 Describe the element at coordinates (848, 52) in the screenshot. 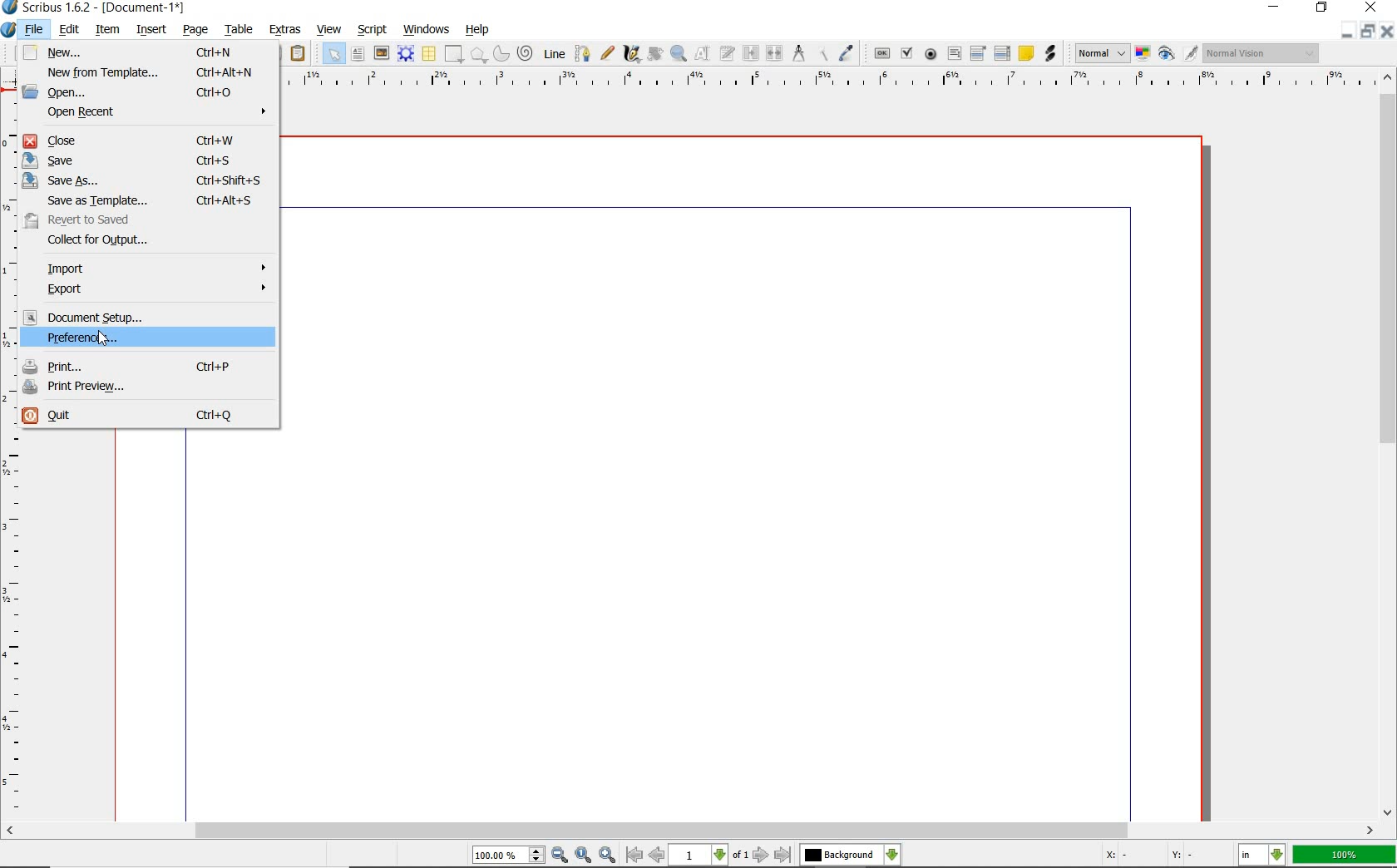

I see `eye dropper` at that location.